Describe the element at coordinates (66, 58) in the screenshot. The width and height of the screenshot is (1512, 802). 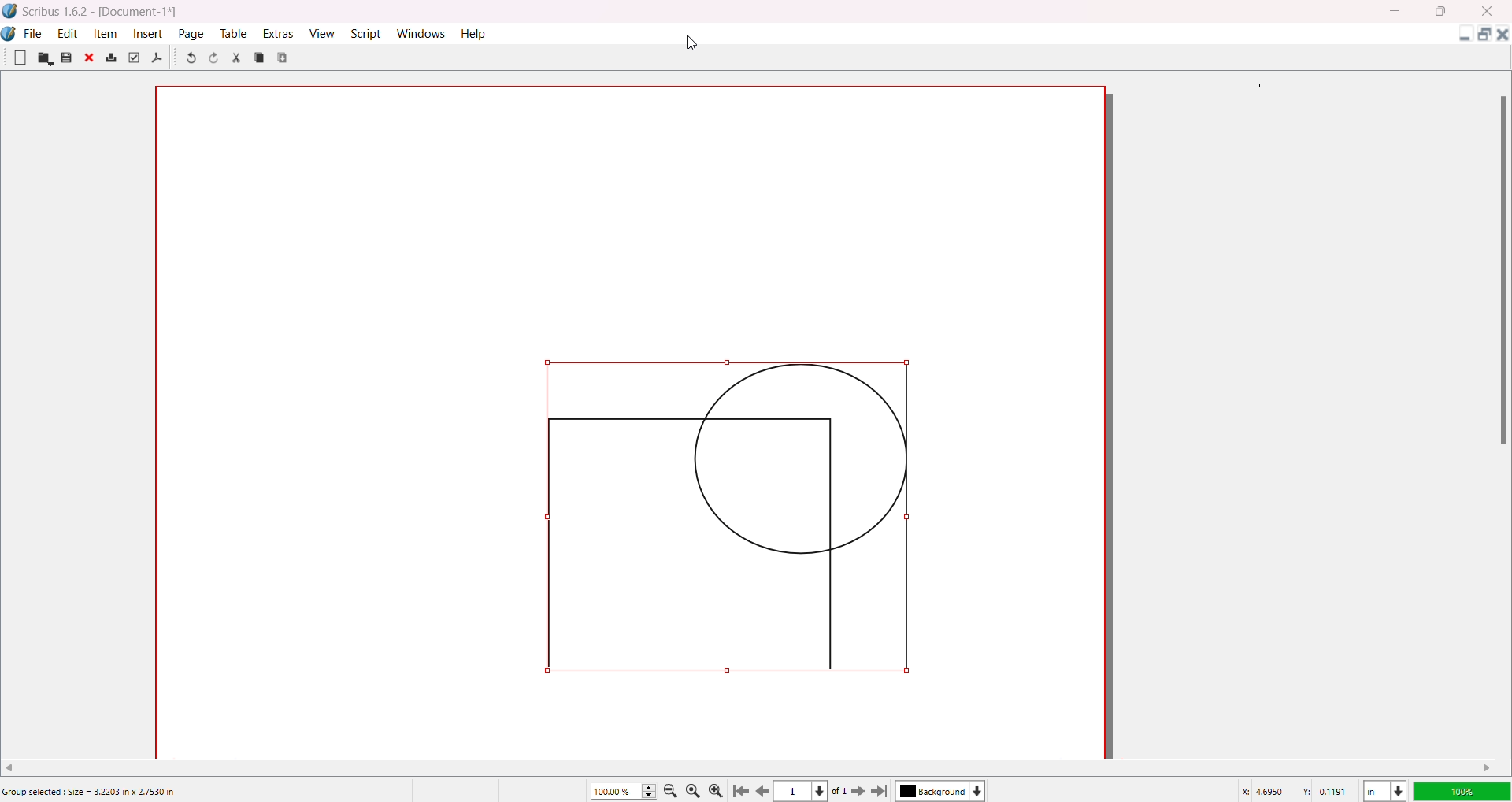
I see `Save` at that location.